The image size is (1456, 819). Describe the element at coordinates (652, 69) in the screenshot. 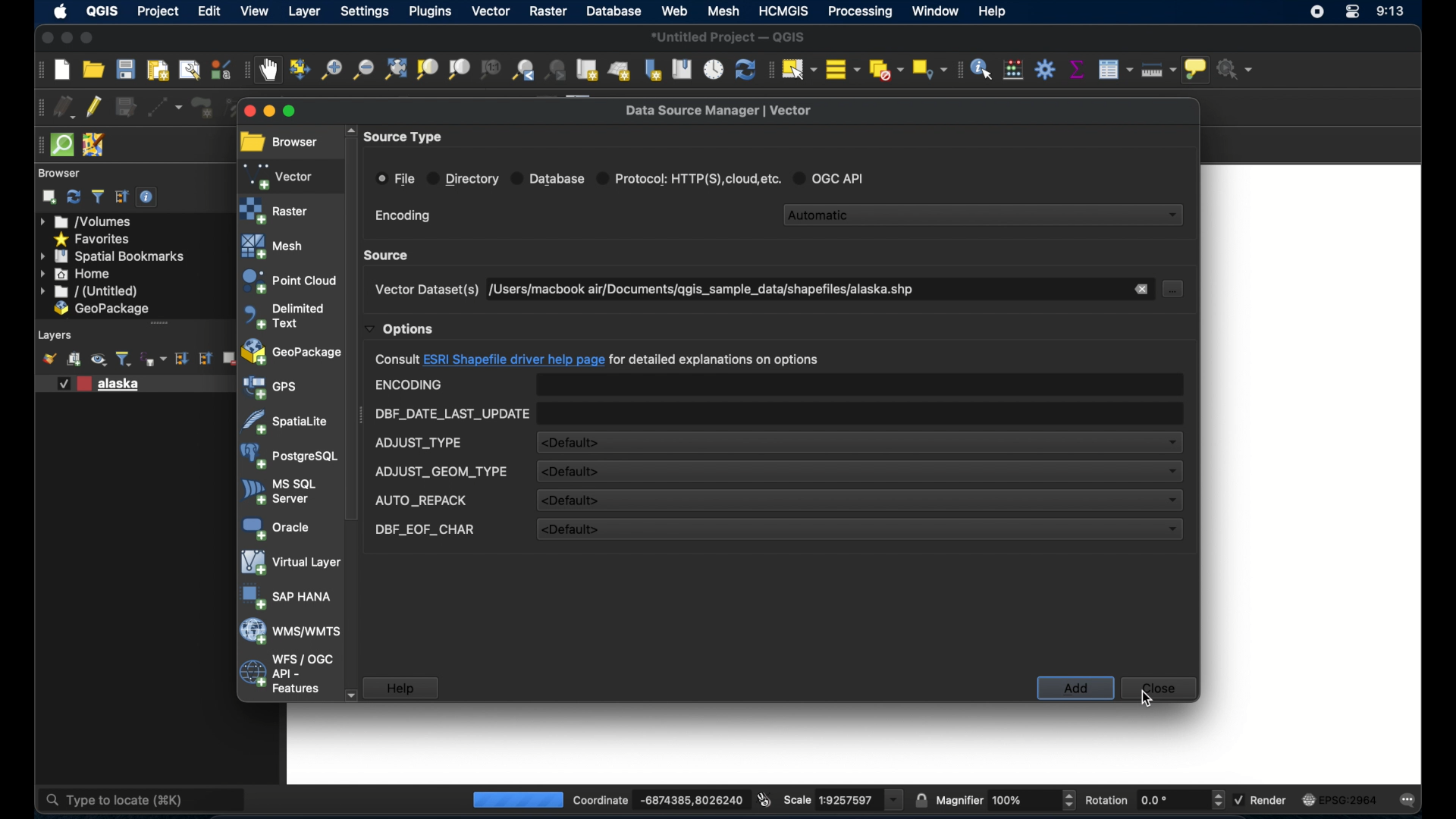

I see `new spatial bookmarks` at that location.